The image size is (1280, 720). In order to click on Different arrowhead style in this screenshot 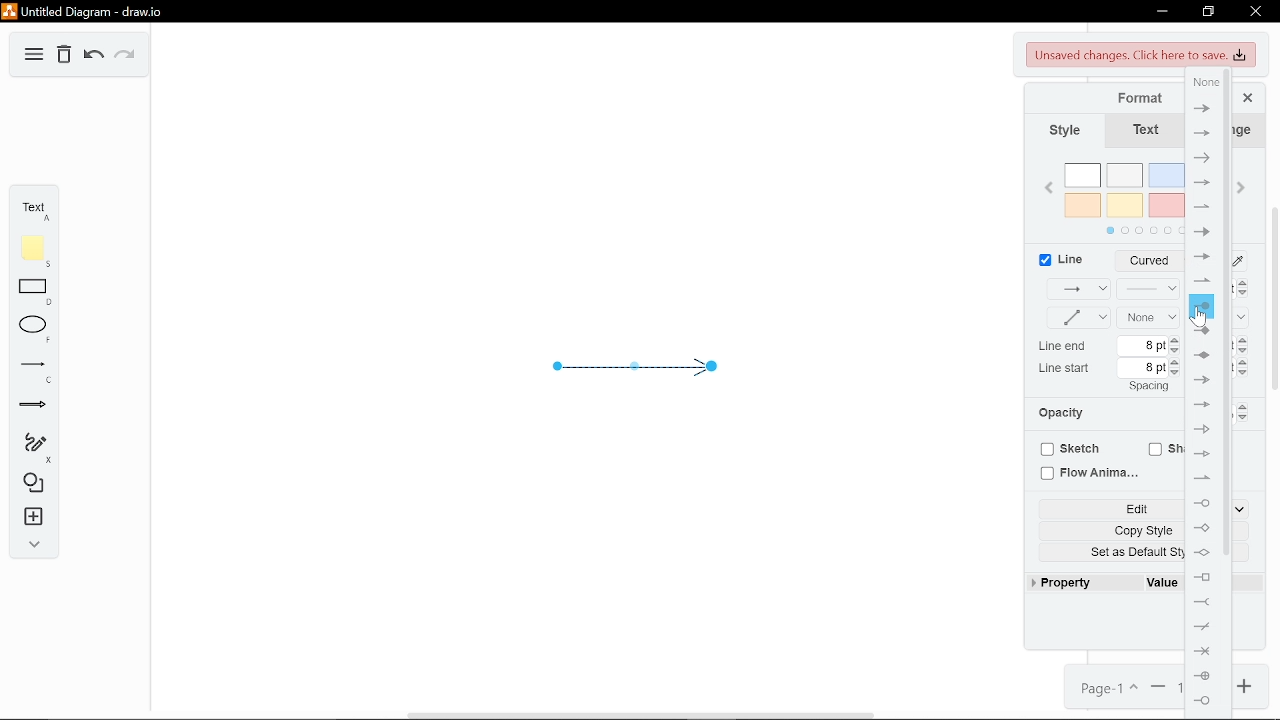, I will do `click(1203, 393)`.